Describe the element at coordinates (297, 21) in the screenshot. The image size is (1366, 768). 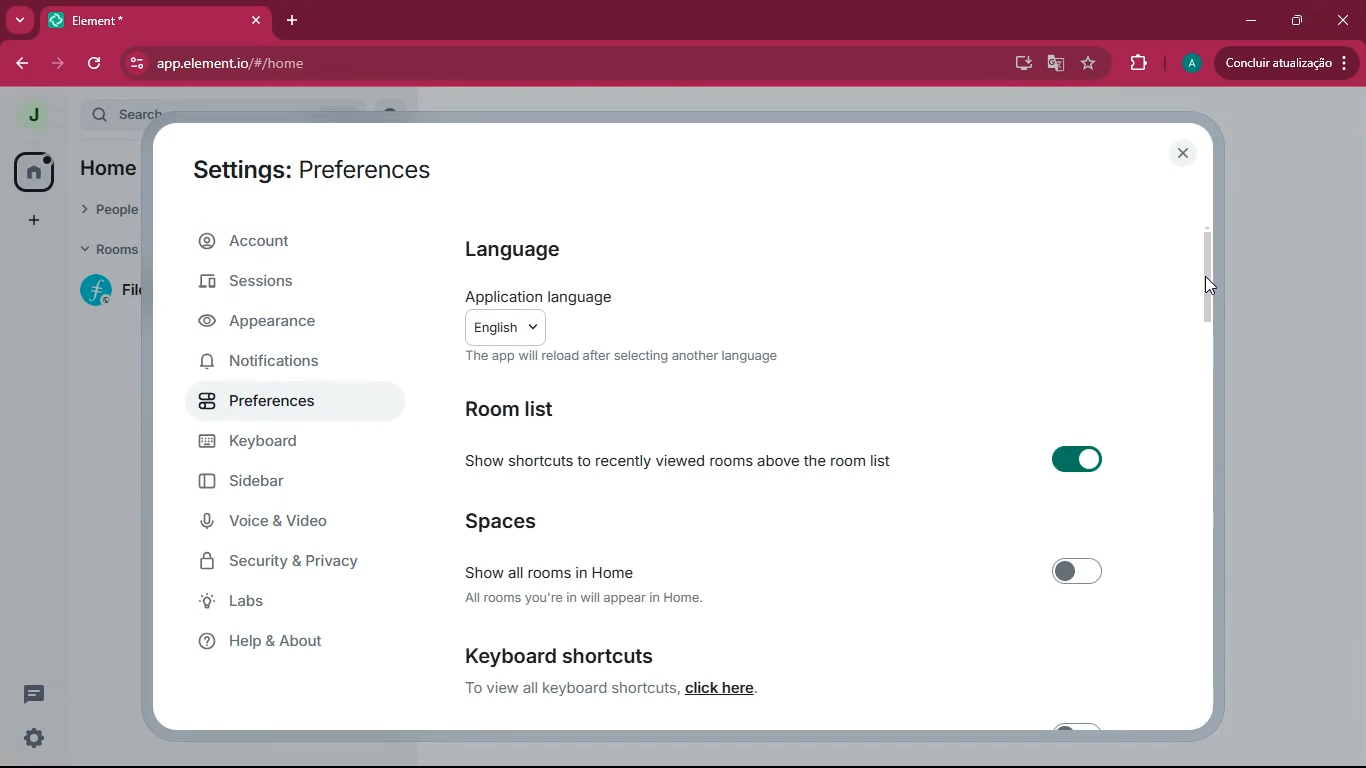
I see `add tab` at that location.